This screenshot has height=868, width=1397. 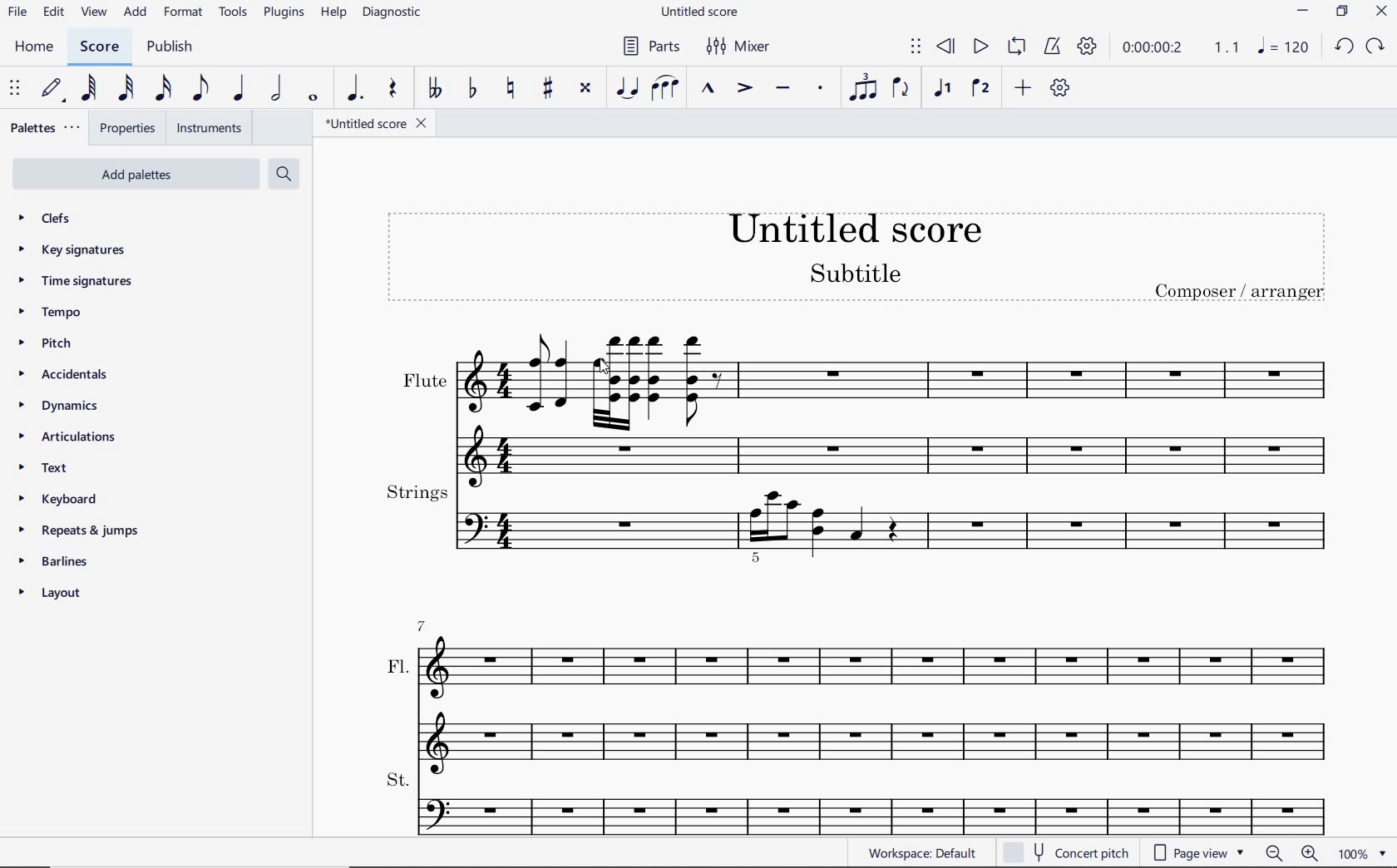 I want to click on 32ND NOTE, so click(x=128, y=88).